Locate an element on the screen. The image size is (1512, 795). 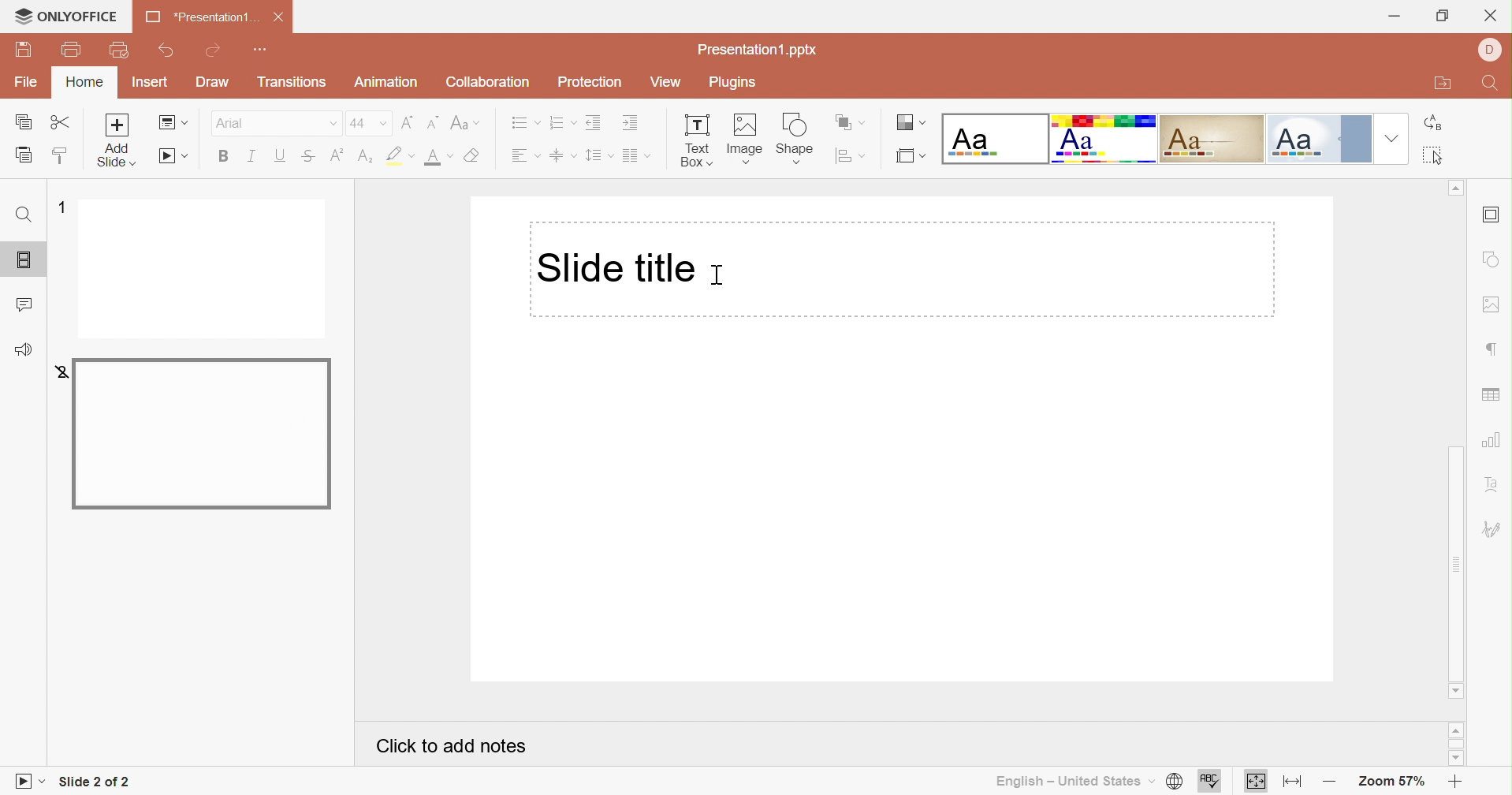
Slide settings is located at coordinates (1492, 216).